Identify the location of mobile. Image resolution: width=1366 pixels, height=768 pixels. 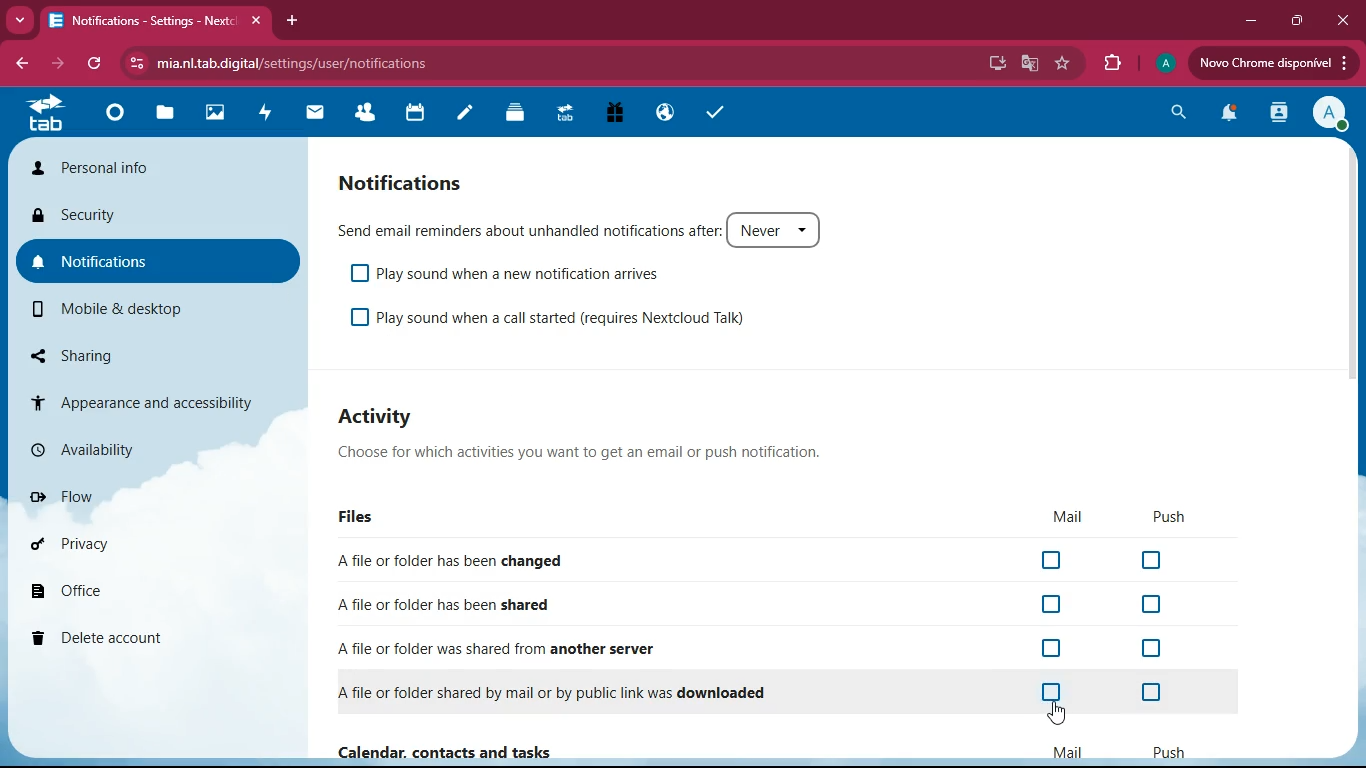
(138, 307).